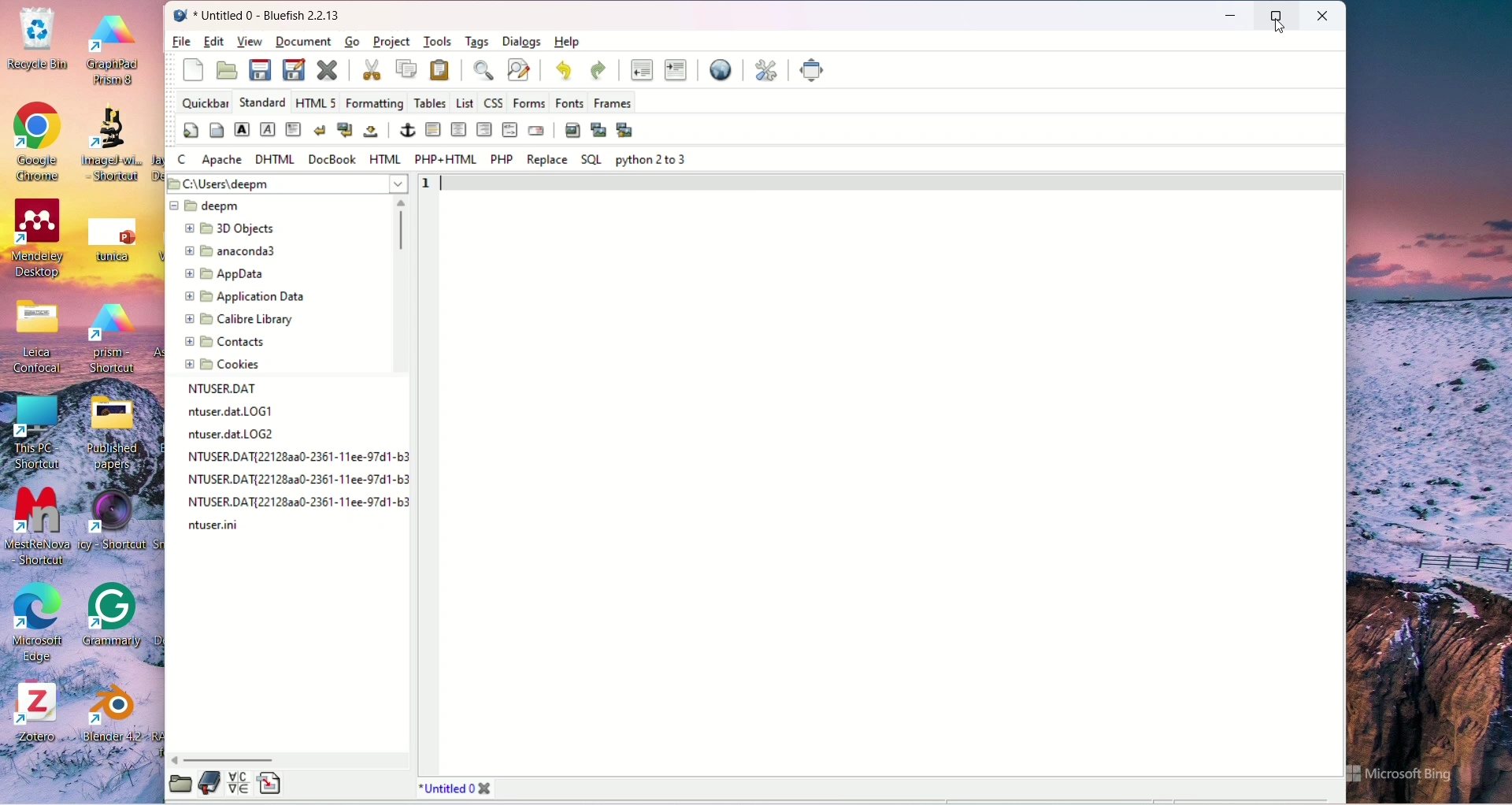  What do you see at coordinates (305, 40) in the screenshot?
I see `document` at bounding box center [305, 40].